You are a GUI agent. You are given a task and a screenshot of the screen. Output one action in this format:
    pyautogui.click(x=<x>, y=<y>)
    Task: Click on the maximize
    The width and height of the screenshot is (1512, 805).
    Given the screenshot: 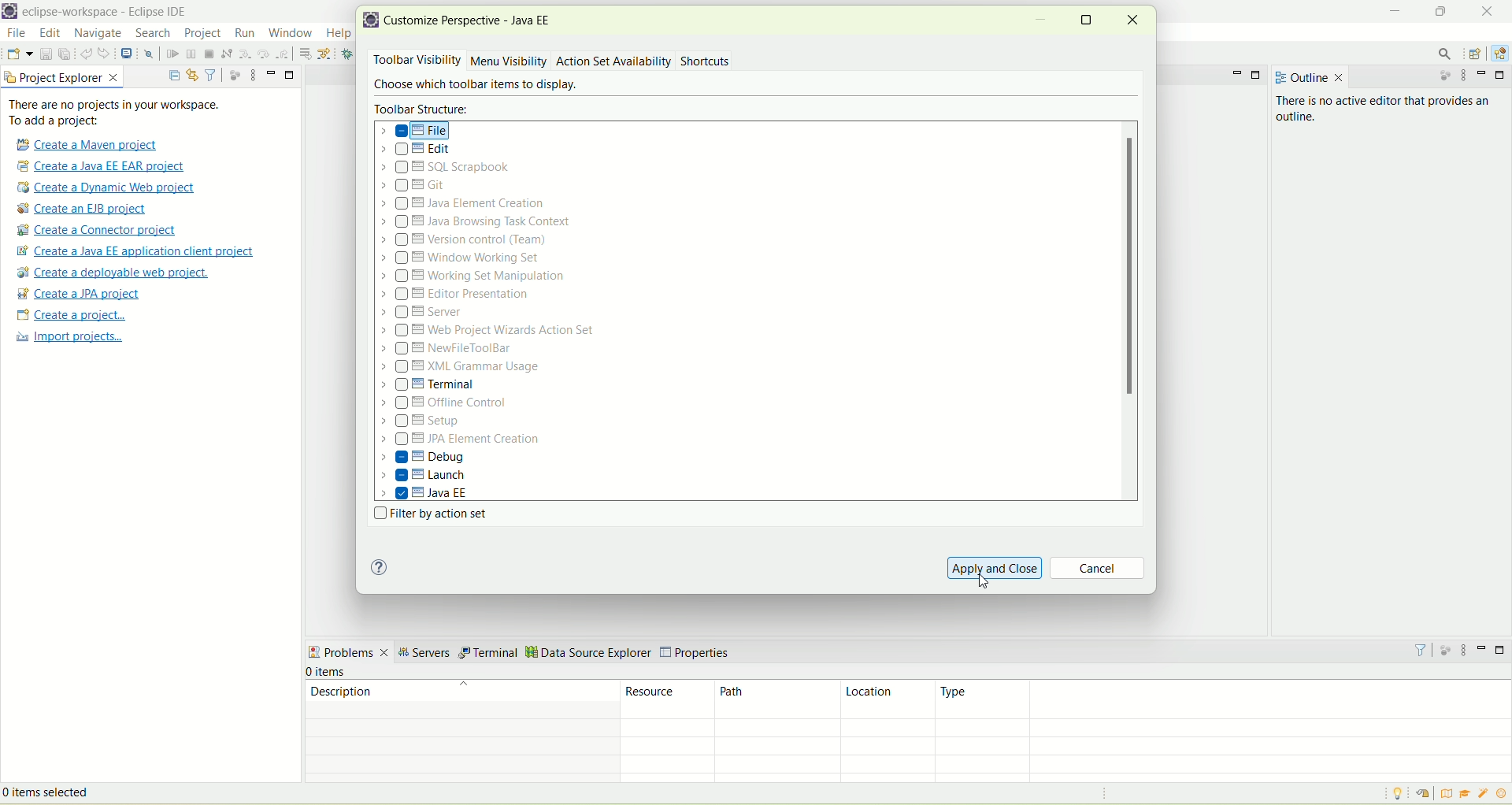 What is the action you would take?
    pyautogui.click(x=1438, y=9)
    